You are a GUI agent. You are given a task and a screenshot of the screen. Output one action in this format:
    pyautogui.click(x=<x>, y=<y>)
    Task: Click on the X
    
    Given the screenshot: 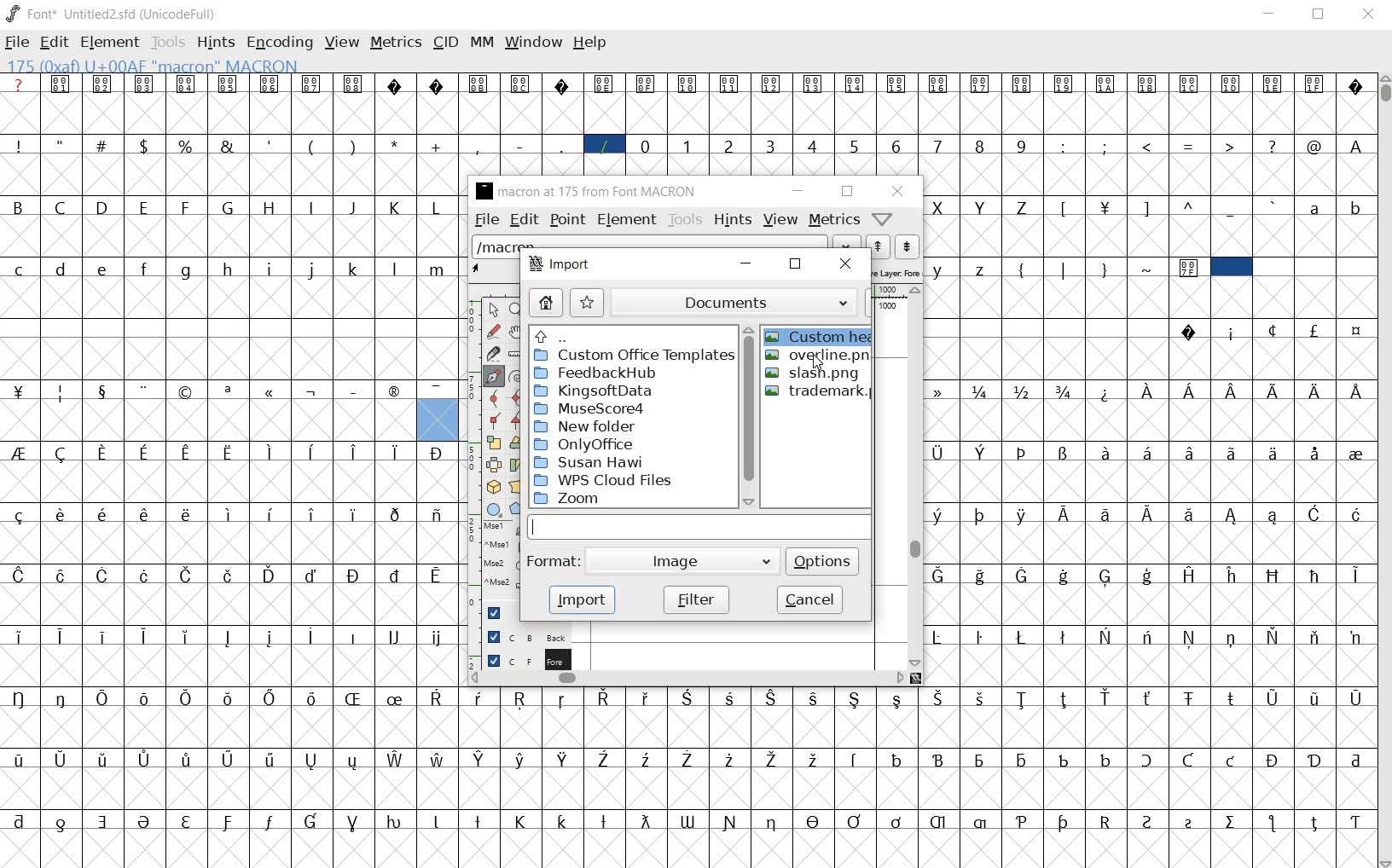 What is the action you would take?
    pyautogui.click(x=940, y=207)
    